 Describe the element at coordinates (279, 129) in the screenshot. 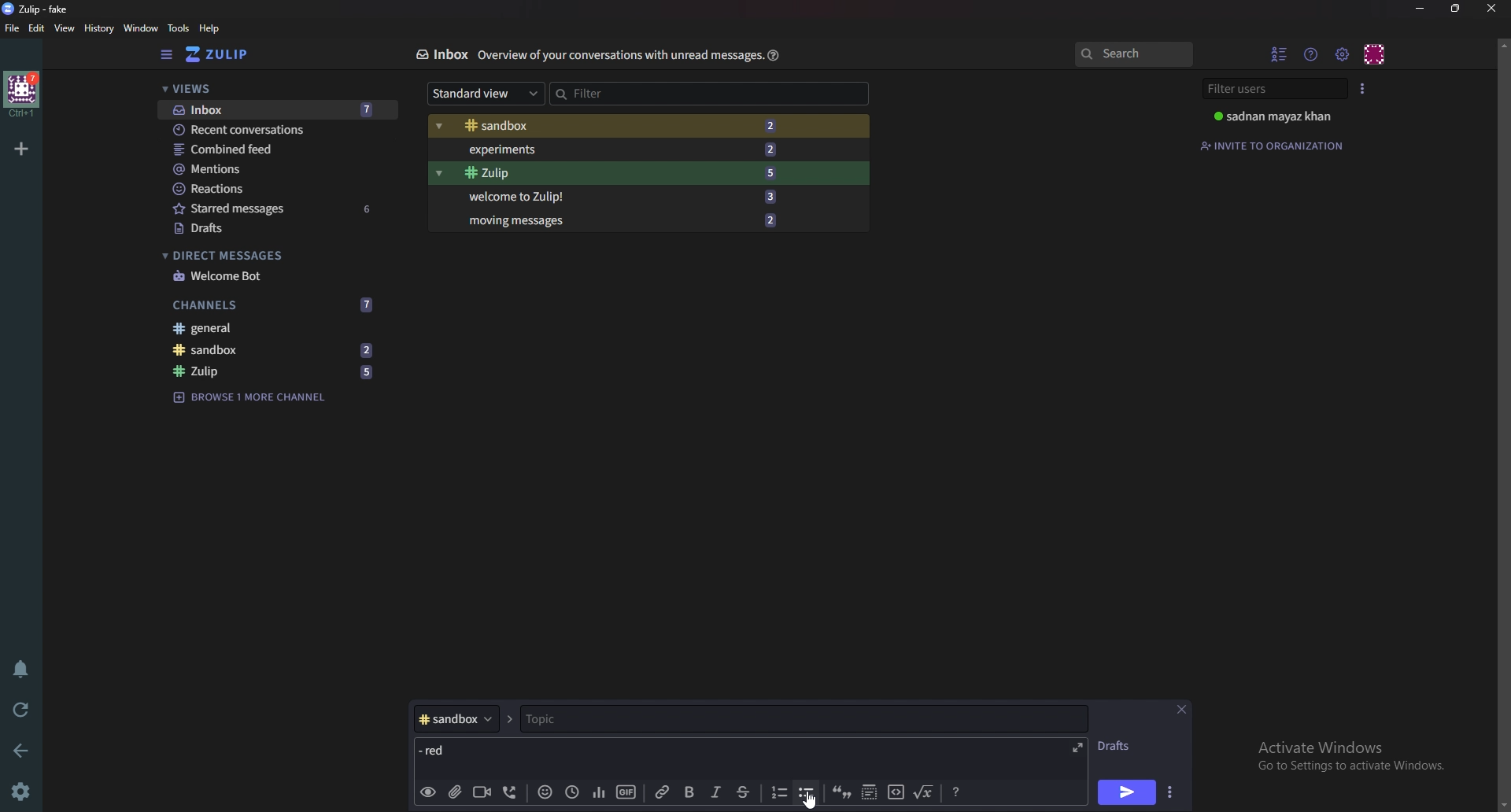

I see `Recent conversations` at that location.